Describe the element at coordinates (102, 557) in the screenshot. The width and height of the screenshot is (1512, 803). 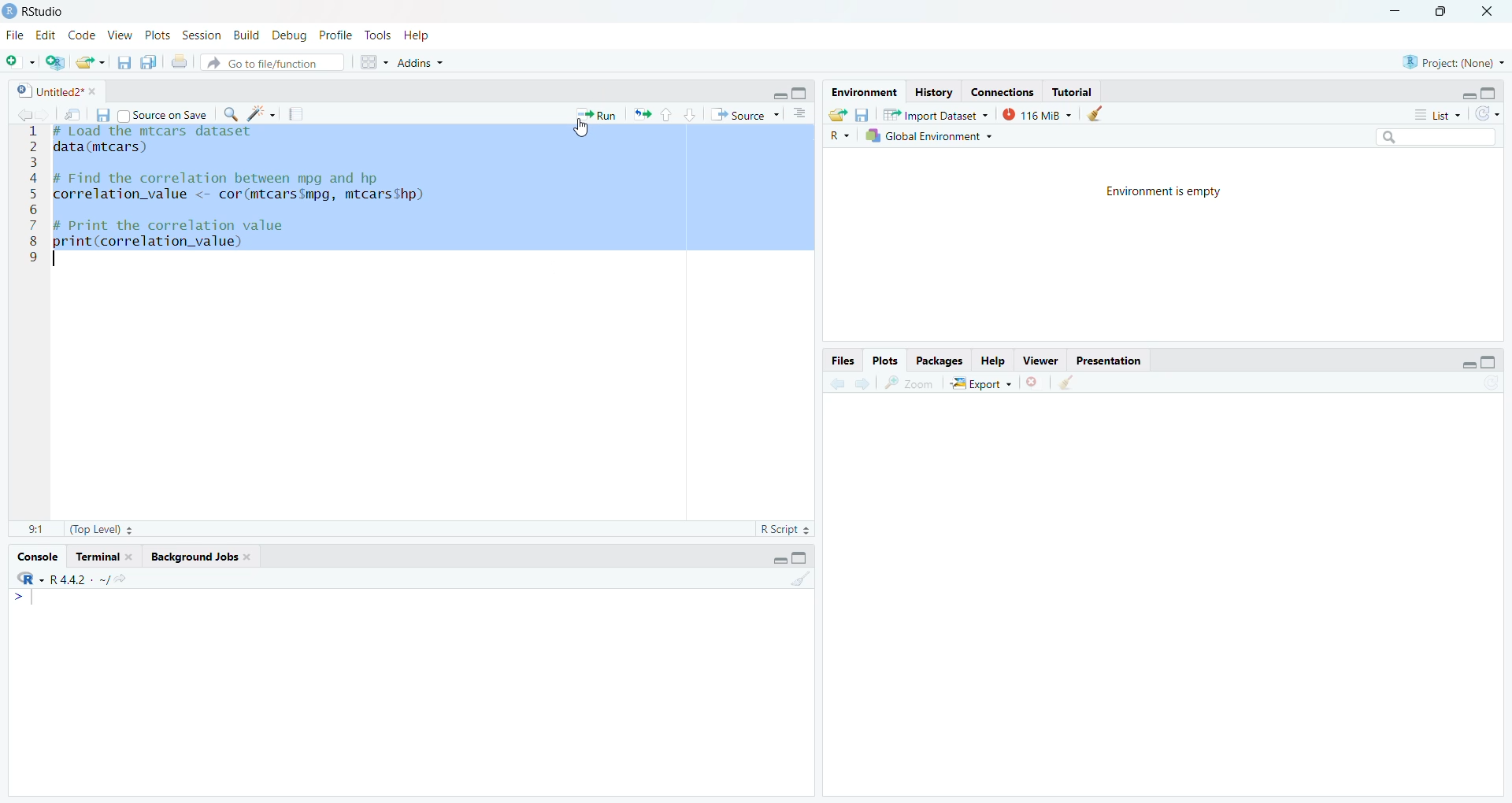
I see `Tutorial` at that location.